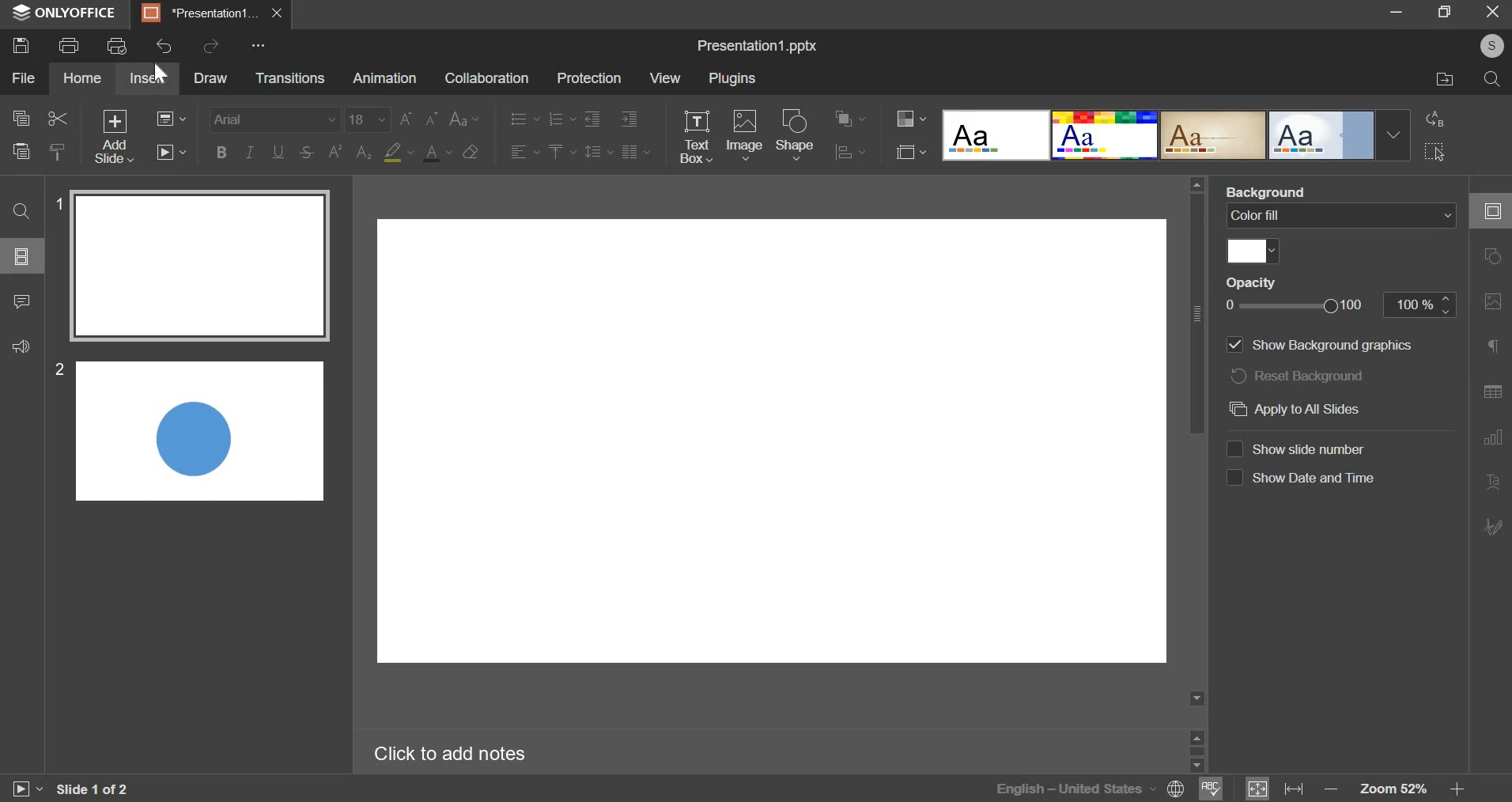  Describe the element at coordinates (1295, 409) in the screenshot. I see `apply to all slides` at that location.